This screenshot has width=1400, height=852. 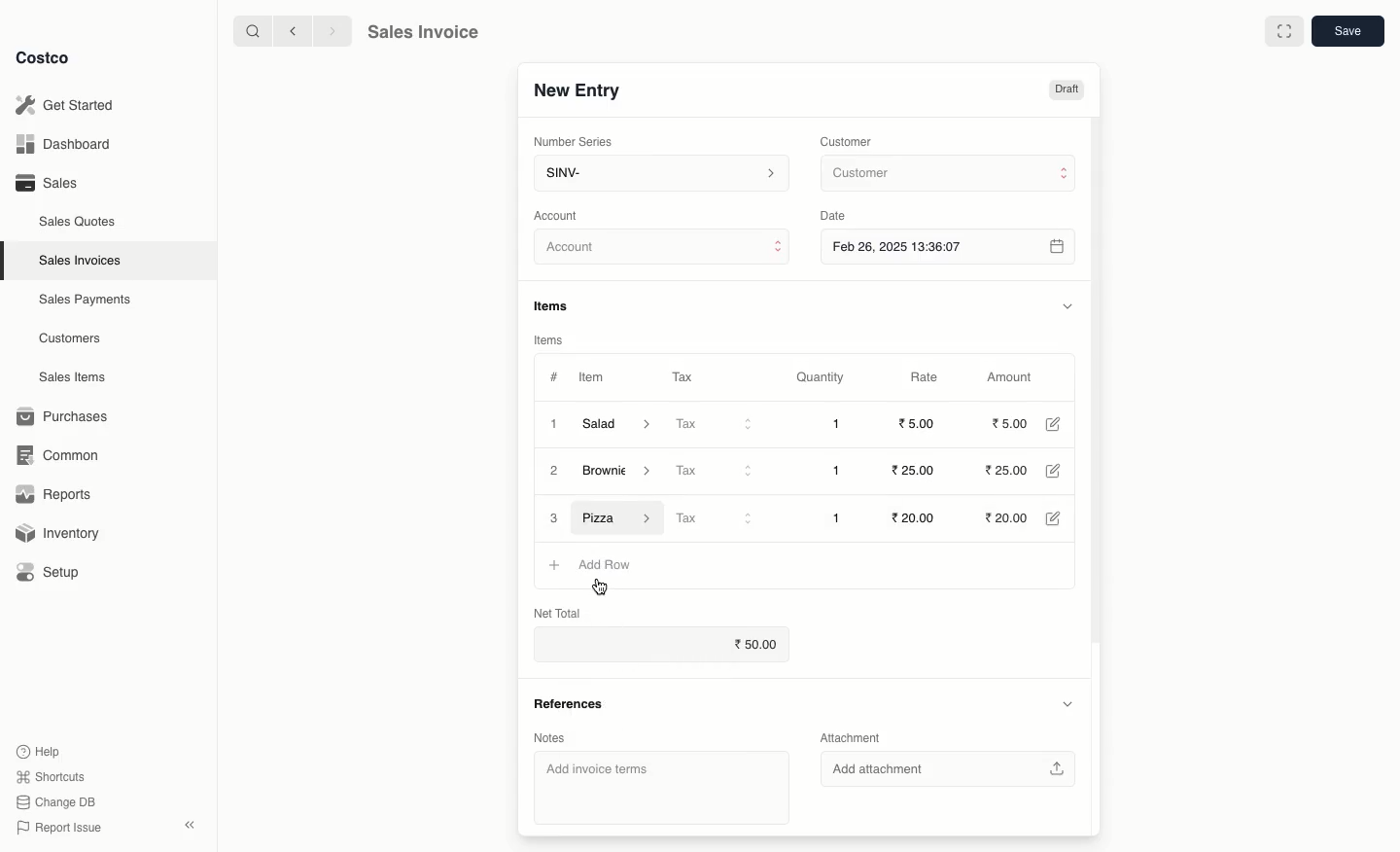 I want to click on Brownie, so click(x=621, y=473).